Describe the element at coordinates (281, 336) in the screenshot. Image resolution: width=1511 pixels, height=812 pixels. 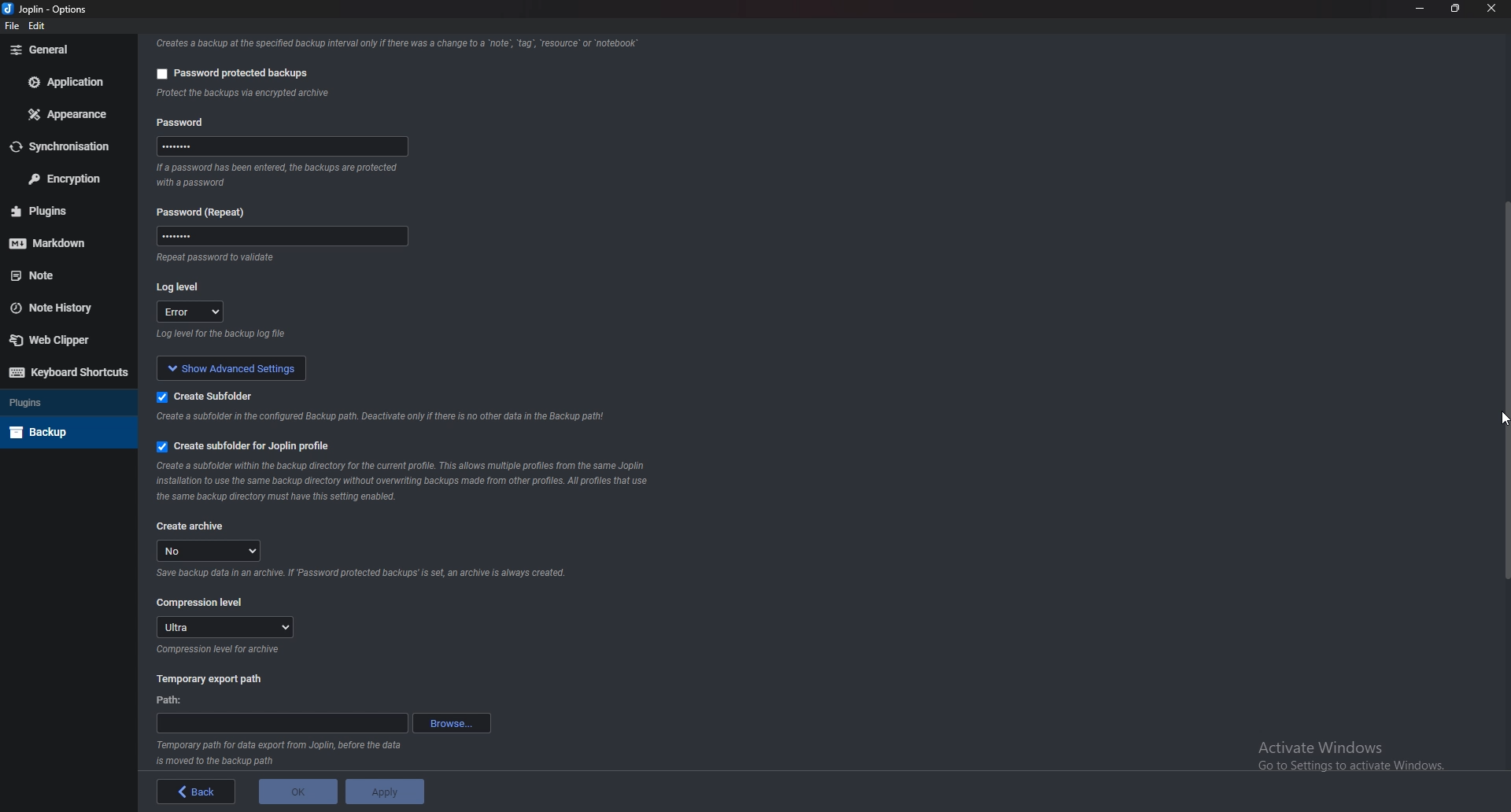
I see `info` at that location.